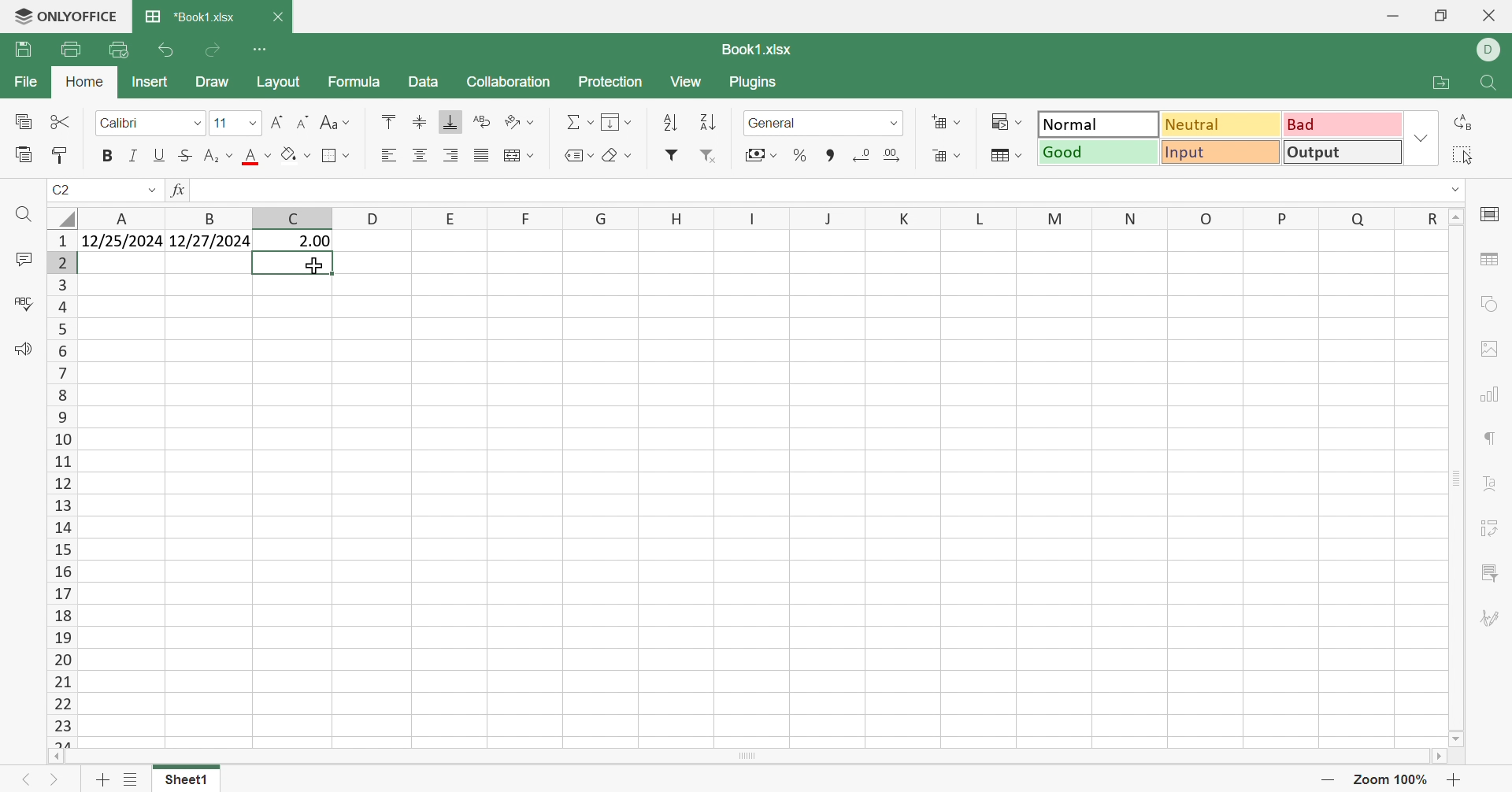 Image resolution: width=1512 pixels, height=792 pixels. I want to click on Collaboration, so click(510, 81).